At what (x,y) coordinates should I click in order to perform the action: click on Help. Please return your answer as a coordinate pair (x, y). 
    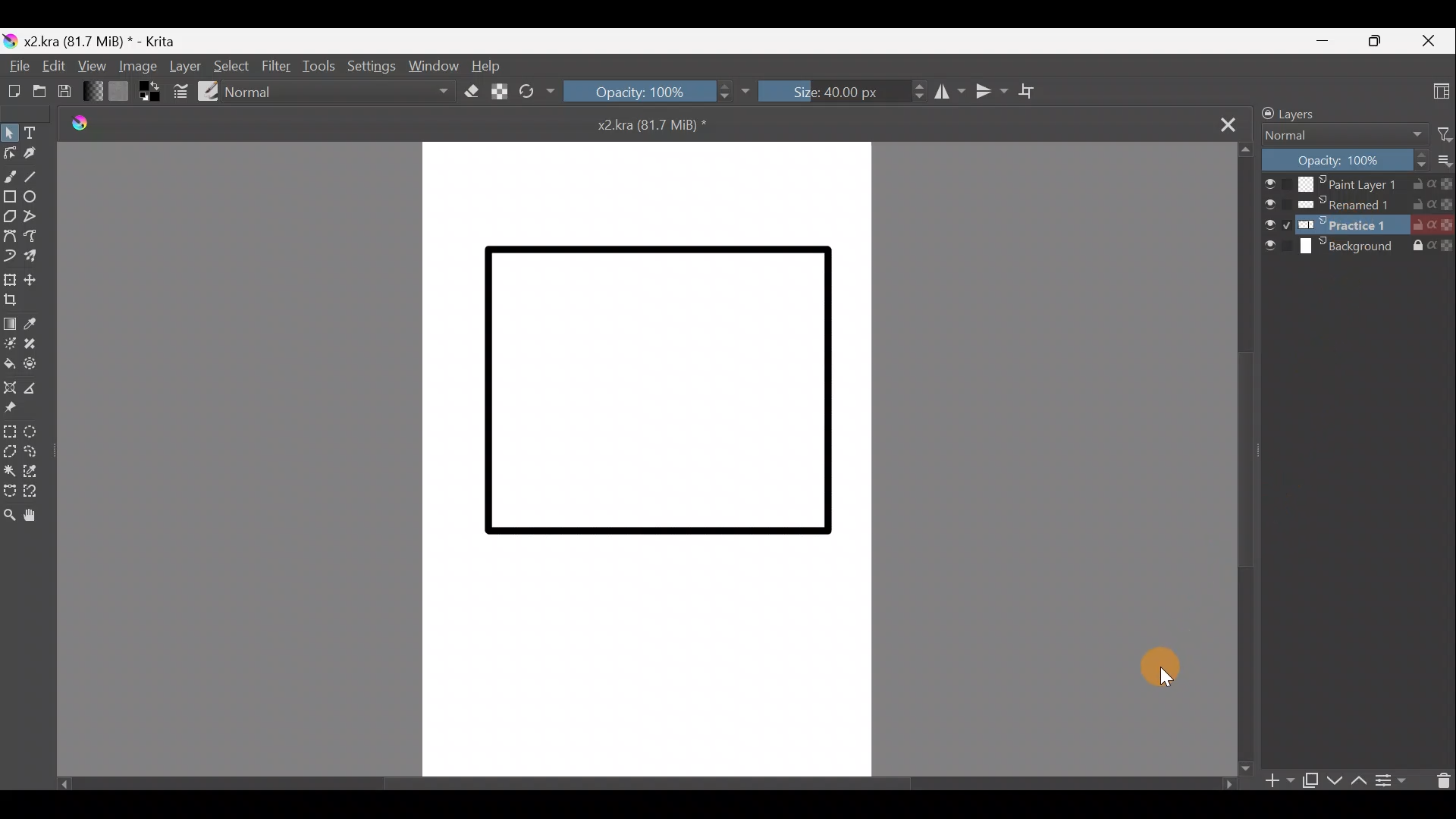
    Looking at the image, I should click on (488, 63).